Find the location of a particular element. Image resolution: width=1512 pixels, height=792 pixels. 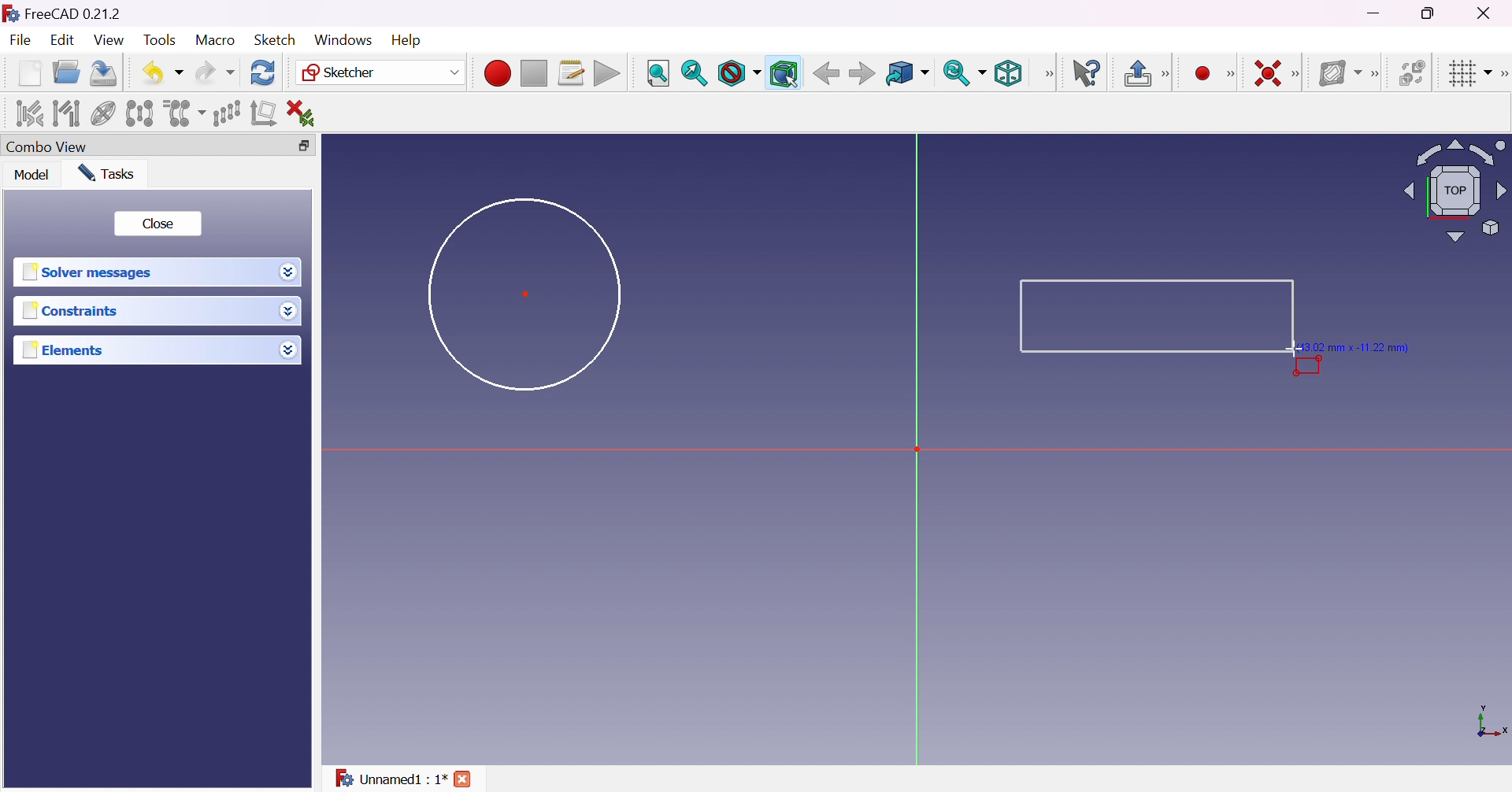

Save is located at coordinates (101, 72).